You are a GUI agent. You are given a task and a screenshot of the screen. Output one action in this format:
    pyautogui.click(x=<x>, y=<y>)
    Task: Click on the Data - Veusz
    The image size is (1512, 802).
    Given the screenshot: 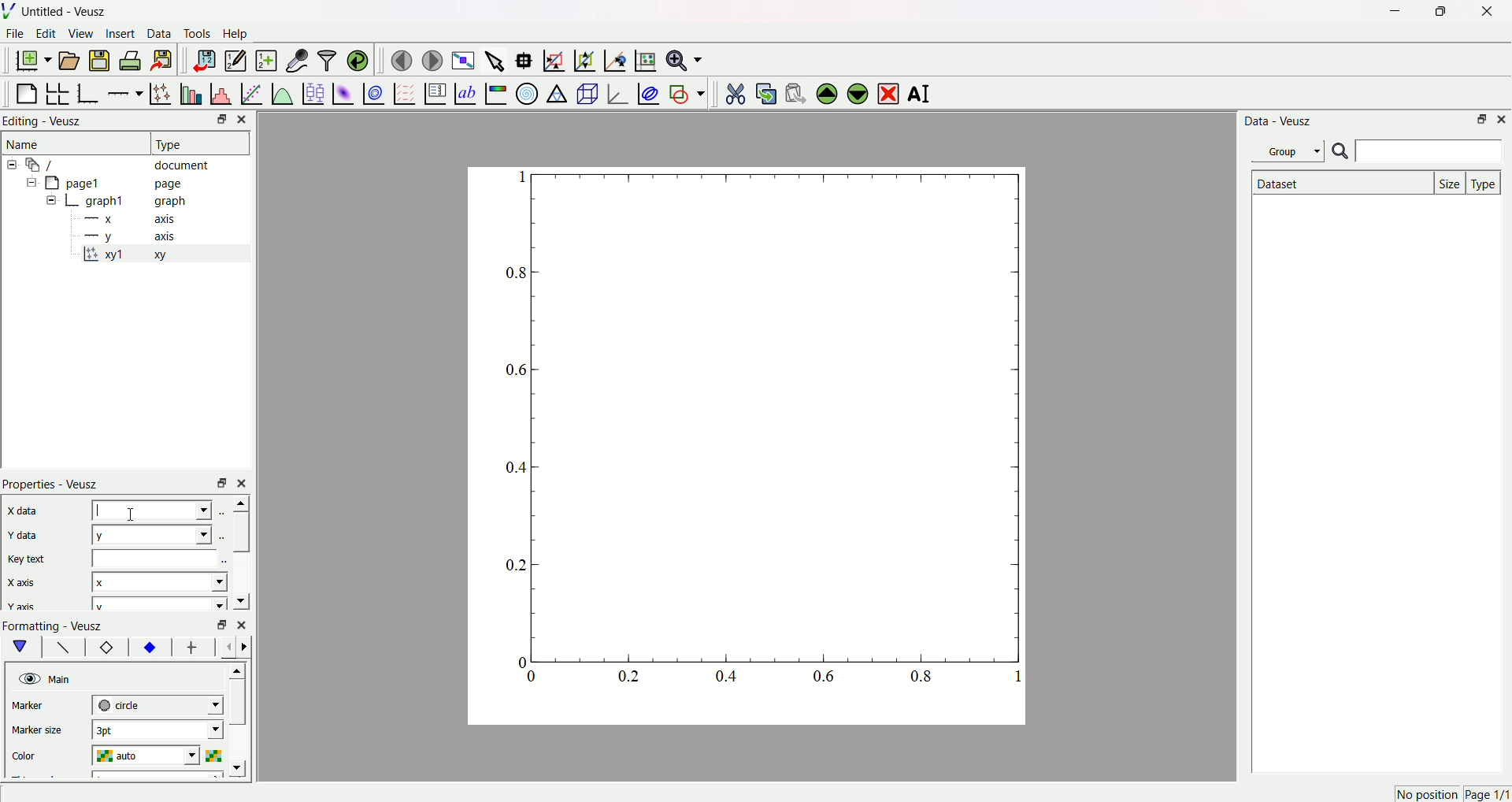 What is the action you would take?
    pyautogui.click(x=1280, y=122)
    